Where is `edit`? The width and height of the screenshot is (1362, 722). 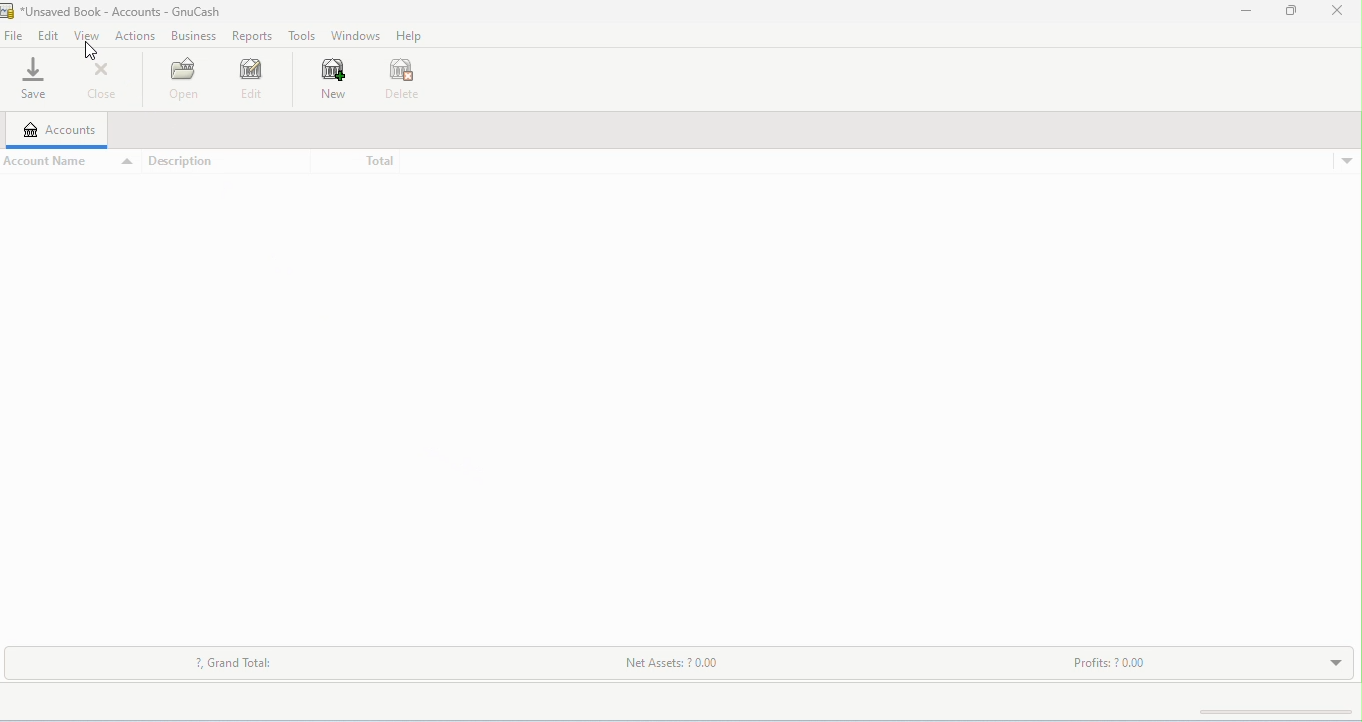
edit is located at coordinates (255, 78).